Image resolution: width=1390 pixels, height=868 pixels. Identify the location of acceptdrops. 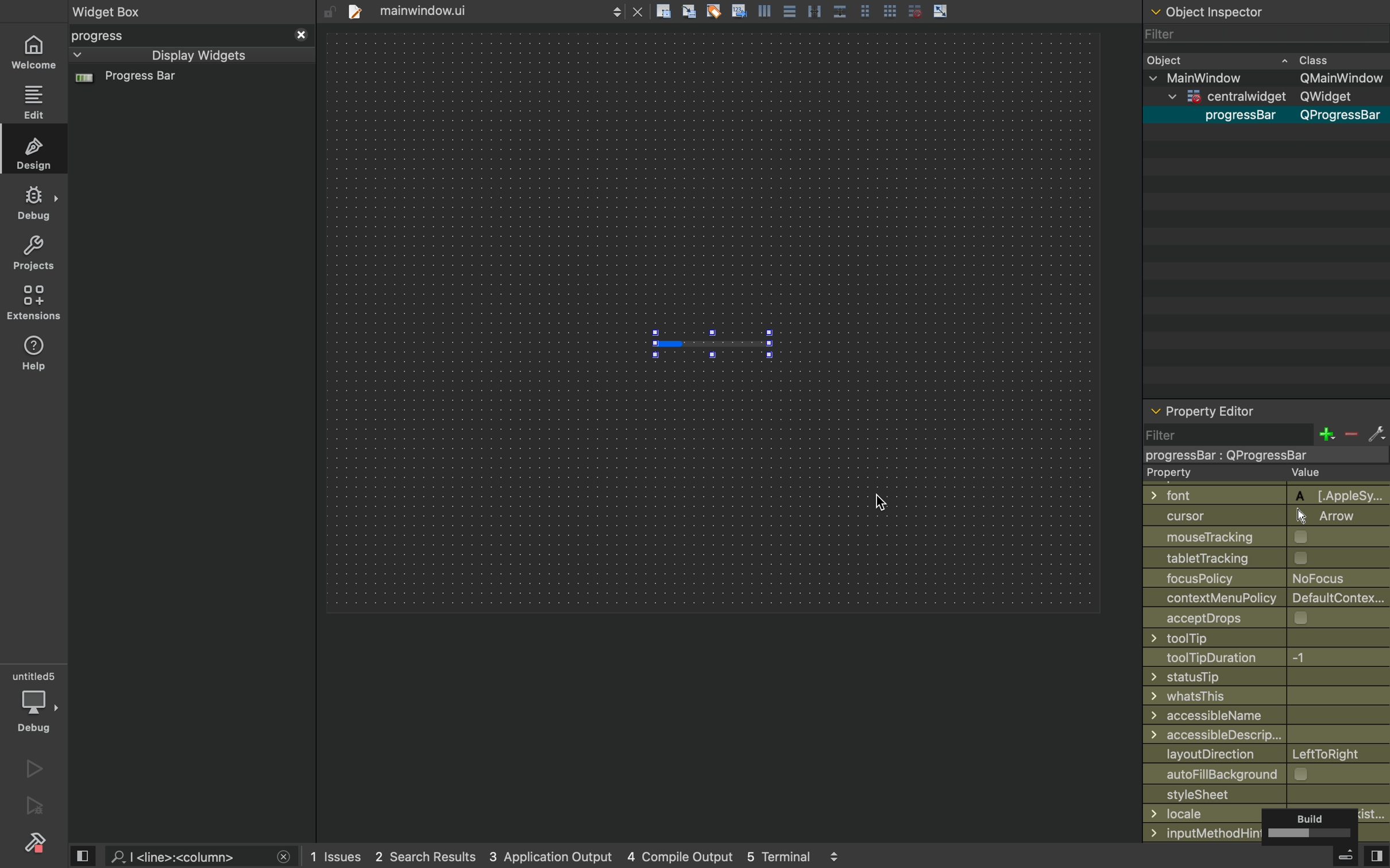
(1257, 617).